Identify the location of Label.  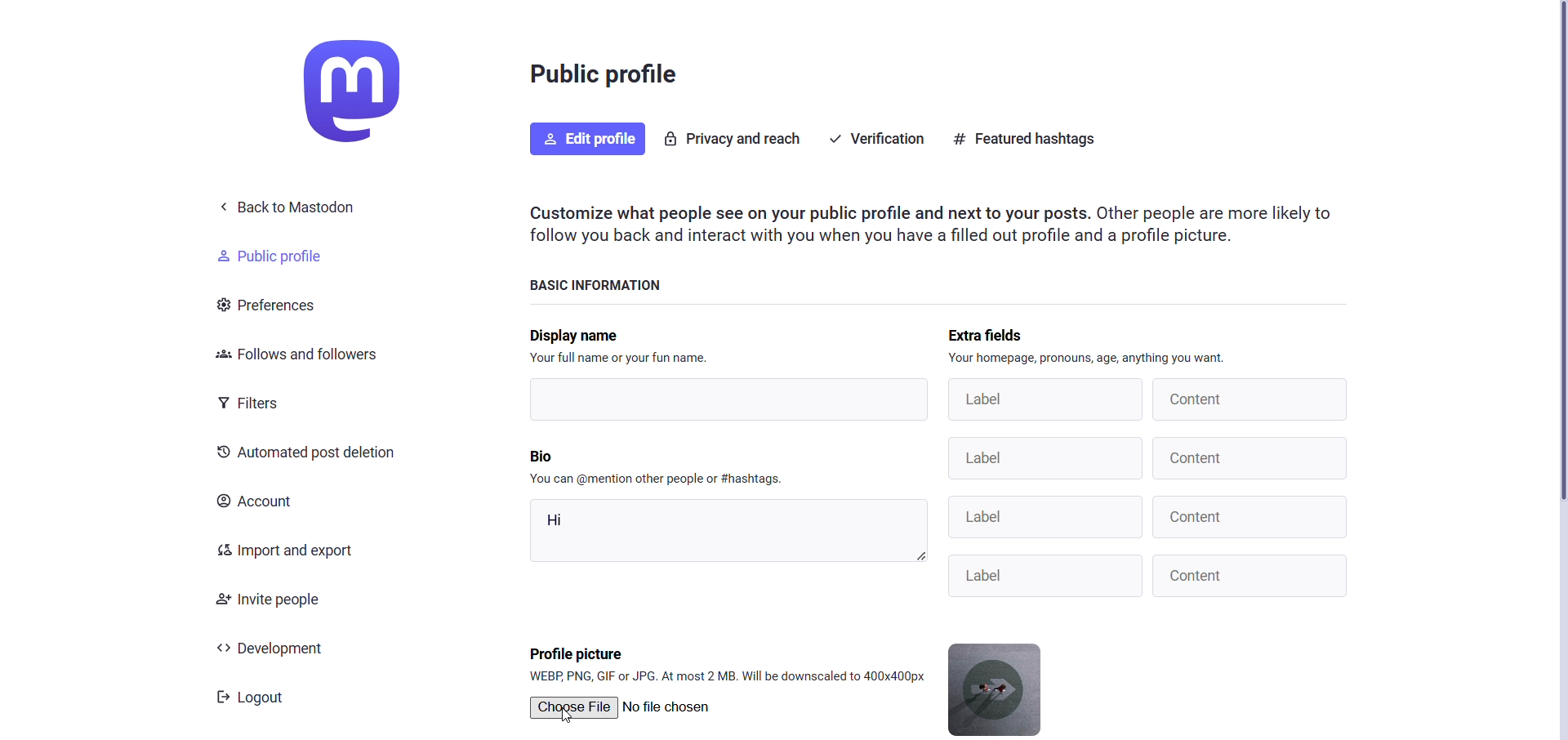
(1045, 516).